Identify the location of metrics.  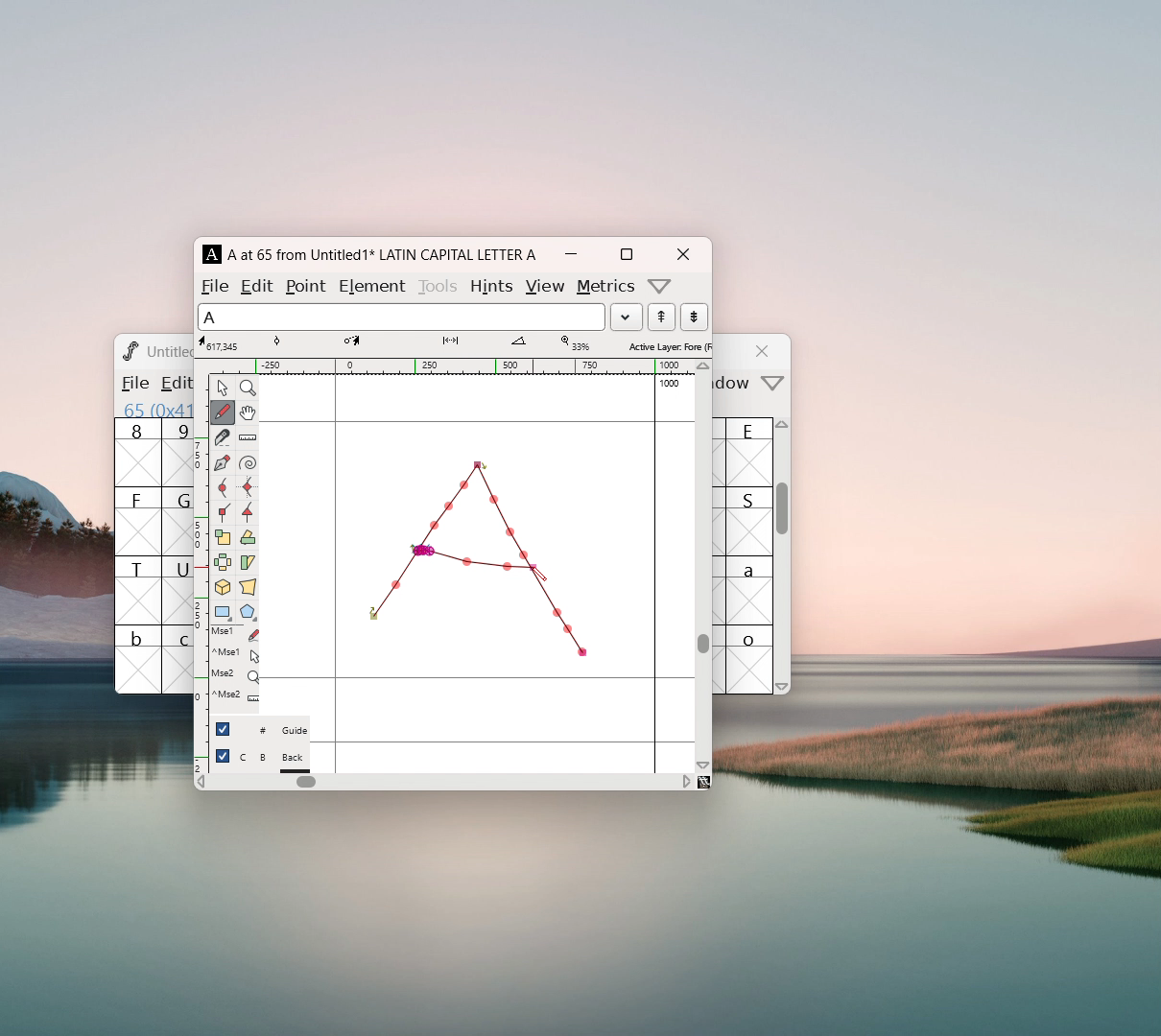
(606, 287).